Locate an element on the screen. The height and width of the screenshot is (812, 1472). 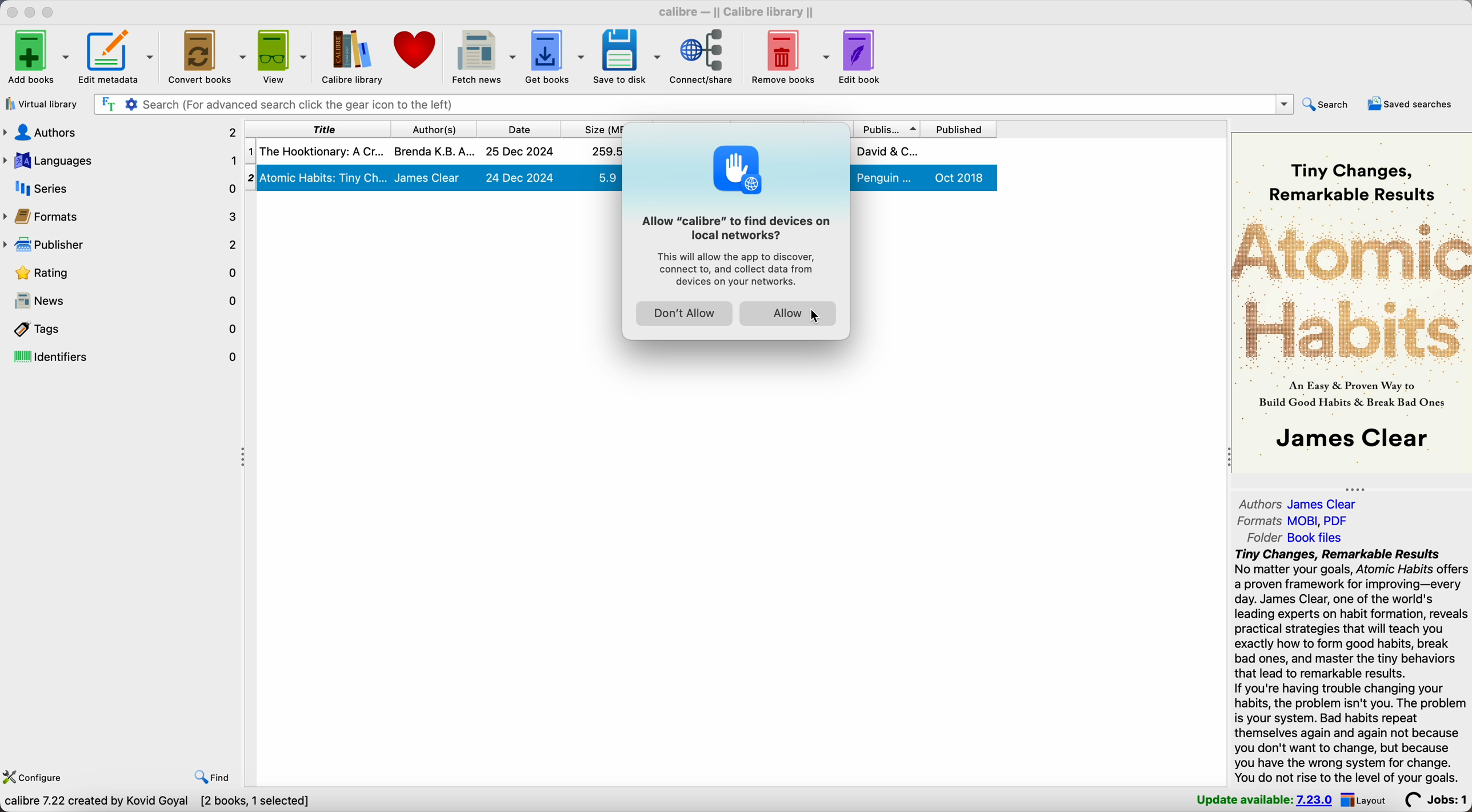
saved searches is located at coordinates (1411, 105).